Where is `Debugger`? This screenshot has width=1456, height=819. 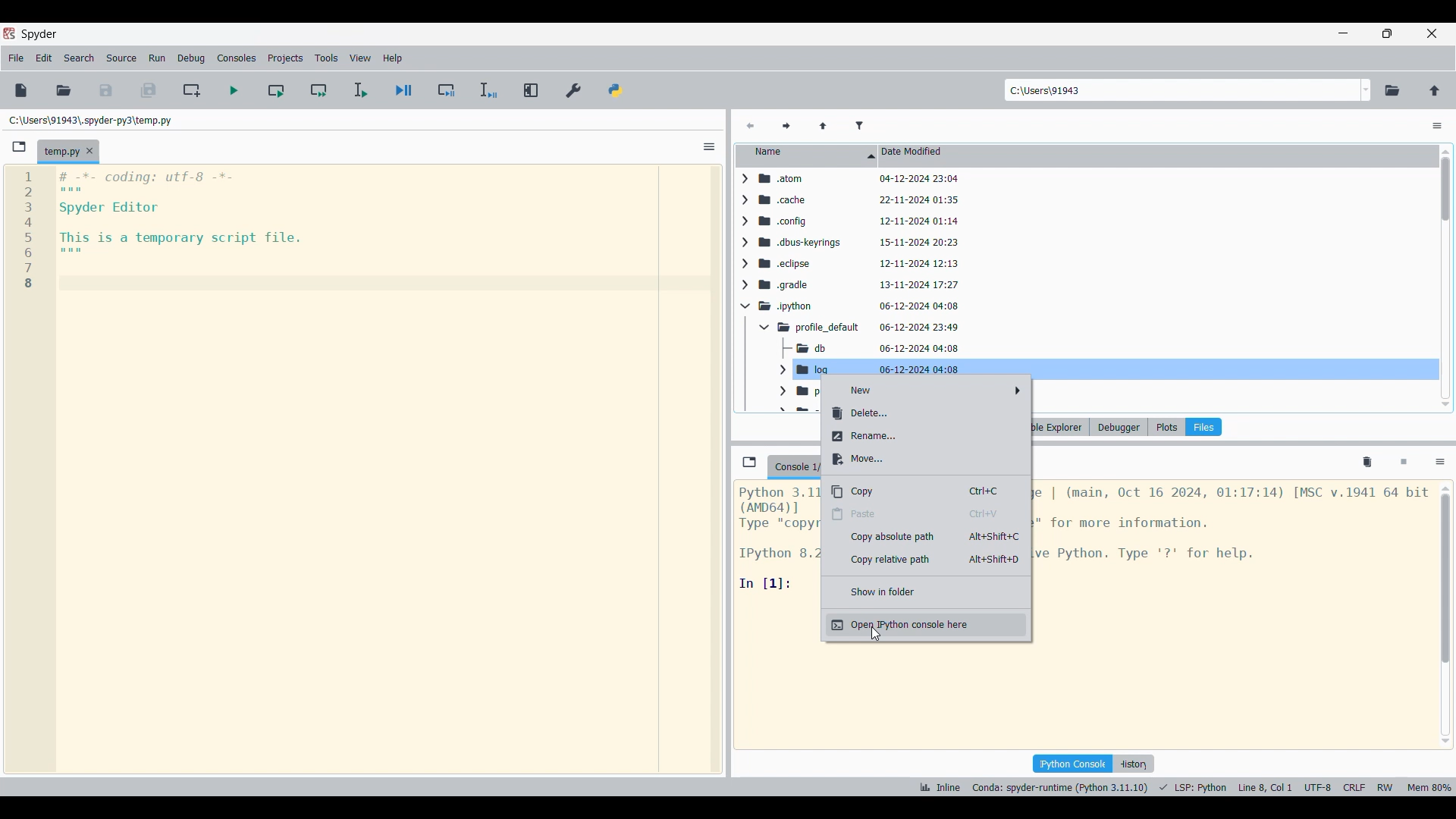
Debugger is located at coordinates (1119, 427).